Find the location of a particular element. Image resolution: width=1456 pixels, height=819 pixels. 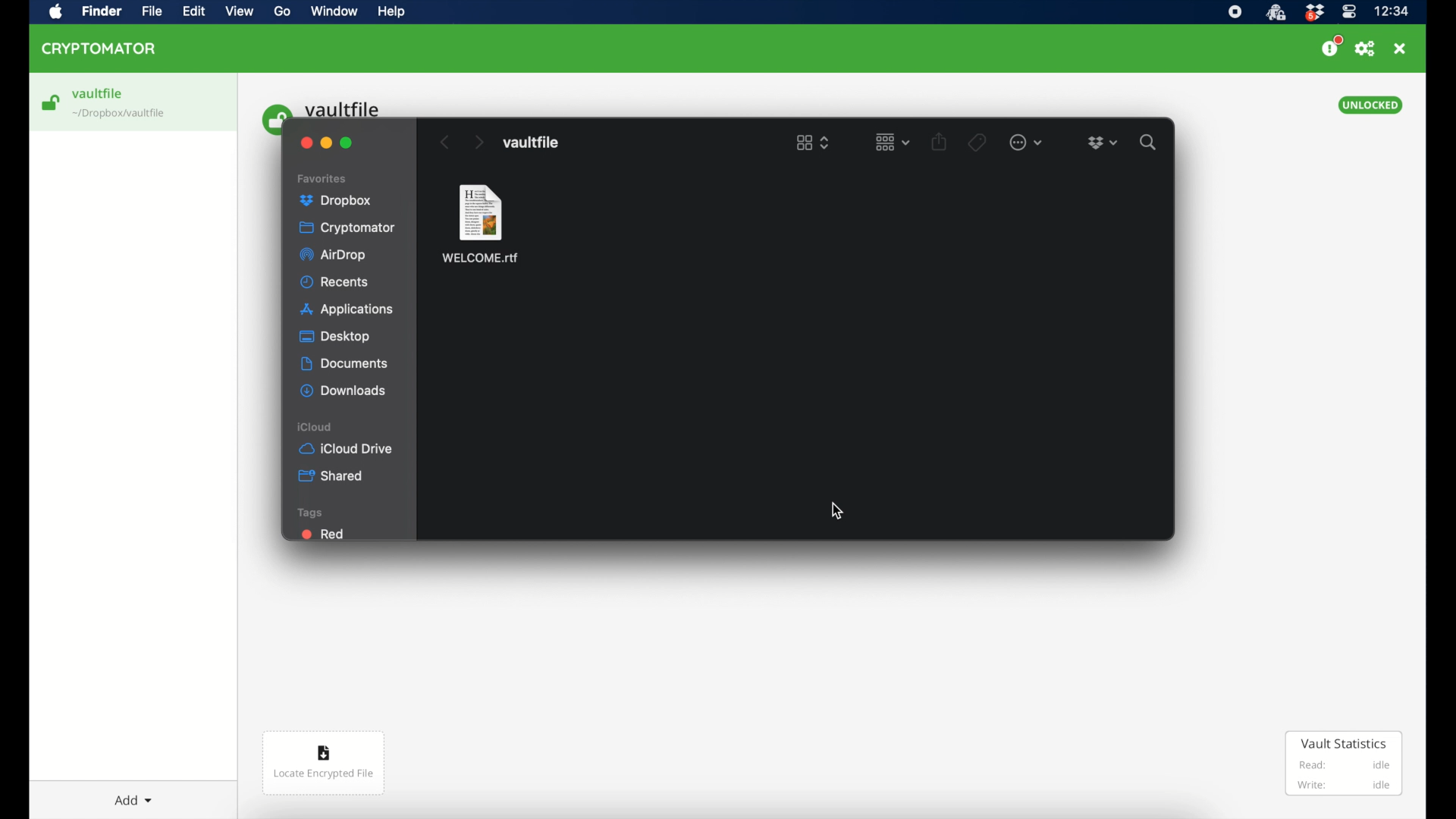

dropbox icon is located at coordinates (1314, 11).